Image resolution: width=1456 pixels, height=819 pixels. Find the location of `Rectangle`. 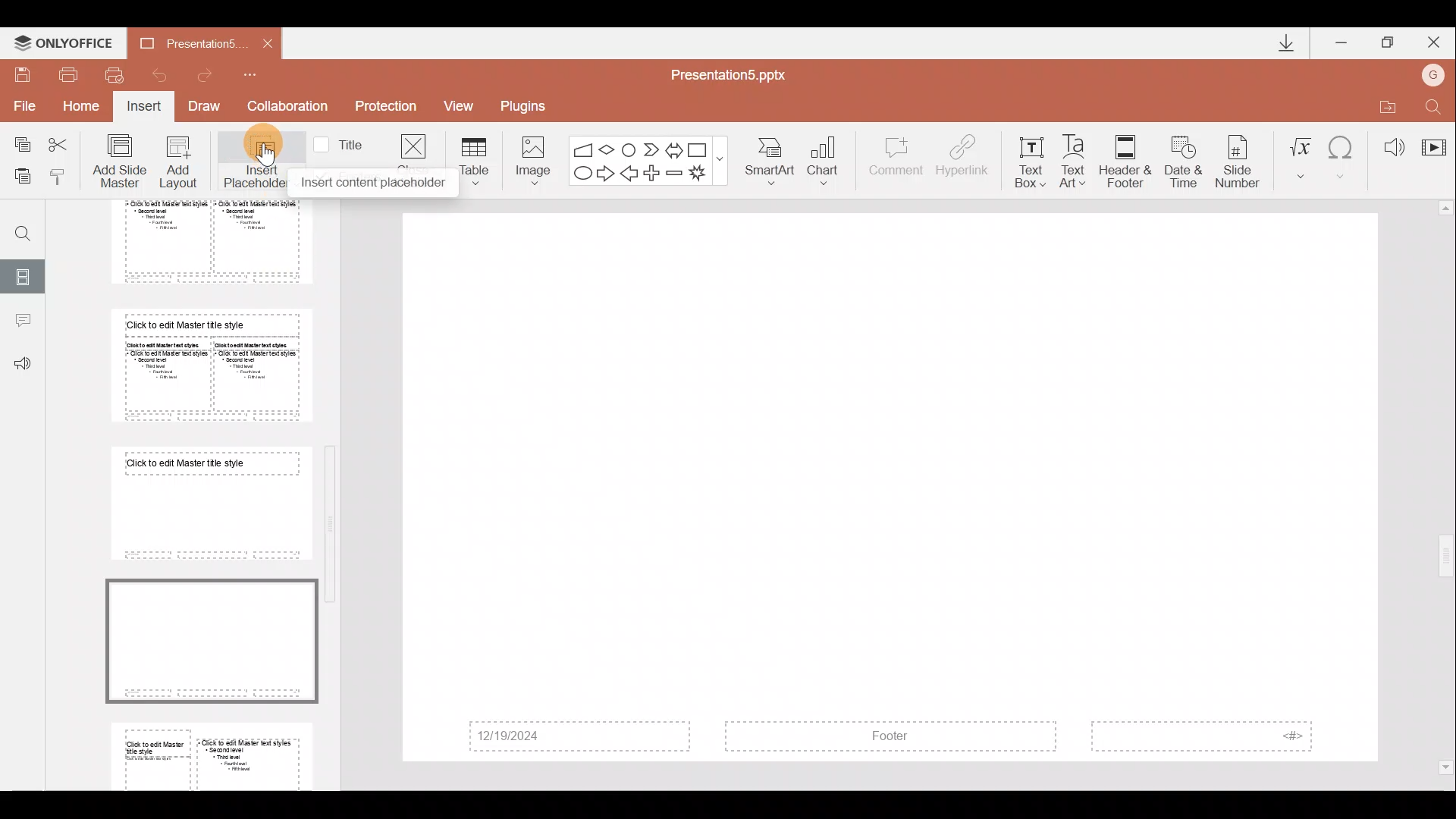

Rectangle is located at coordinates (699, 148).